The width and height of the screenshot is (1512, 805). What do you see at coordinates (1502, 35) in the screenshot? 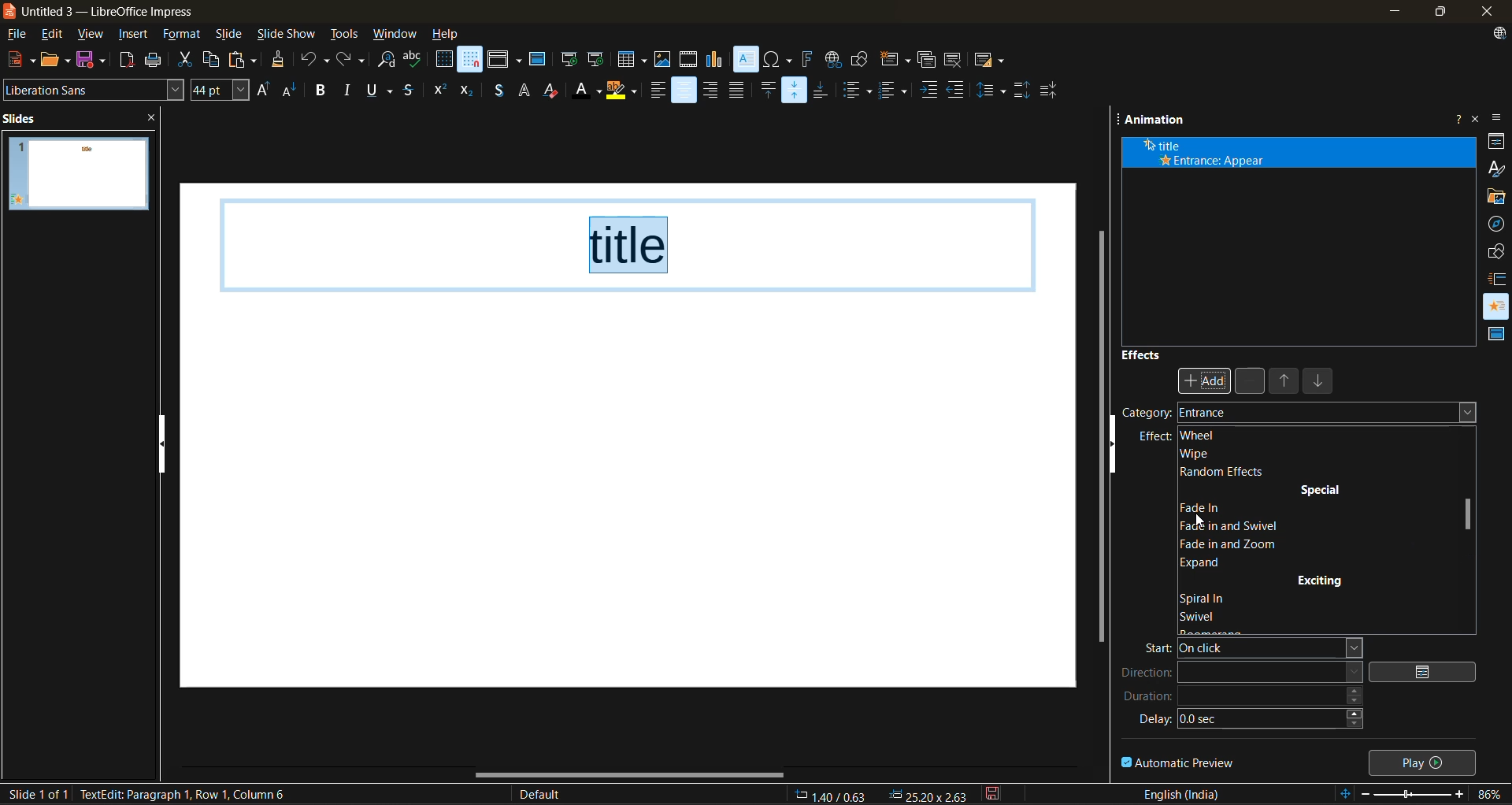
I see `update` at bounding box center [1502, 35].